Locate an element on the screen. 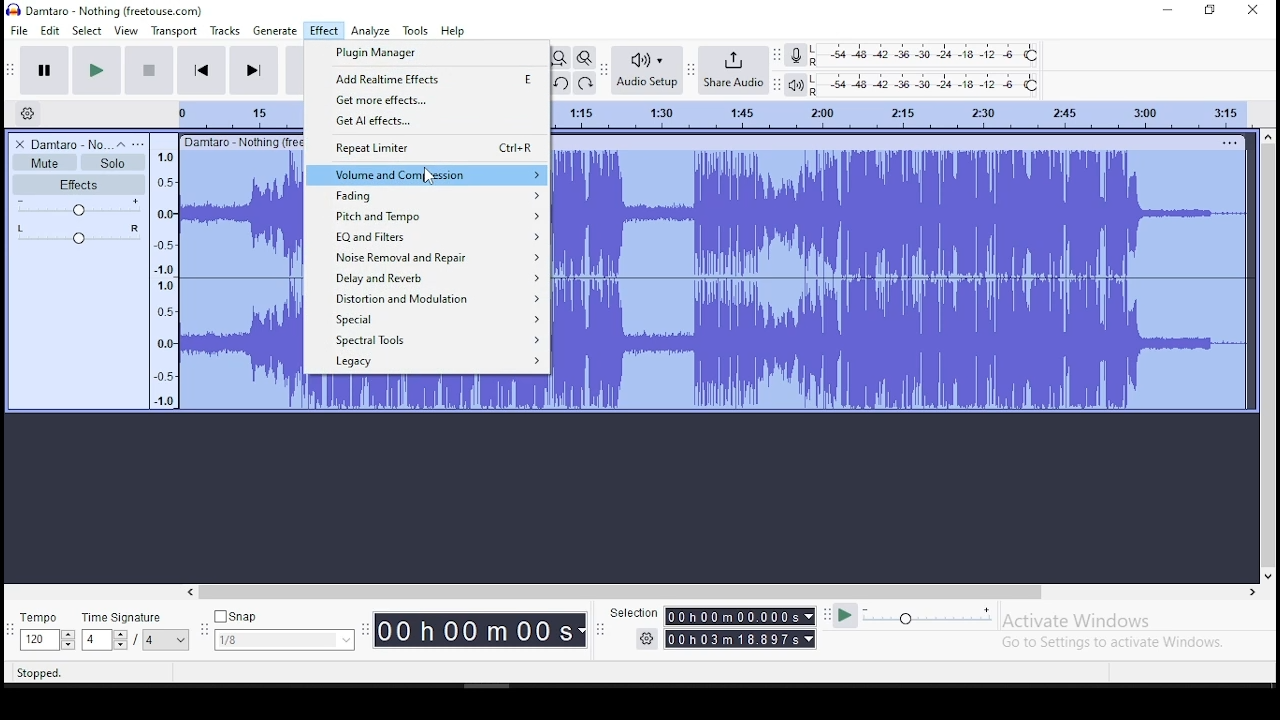  stopped is located at coordinates (39, 673).